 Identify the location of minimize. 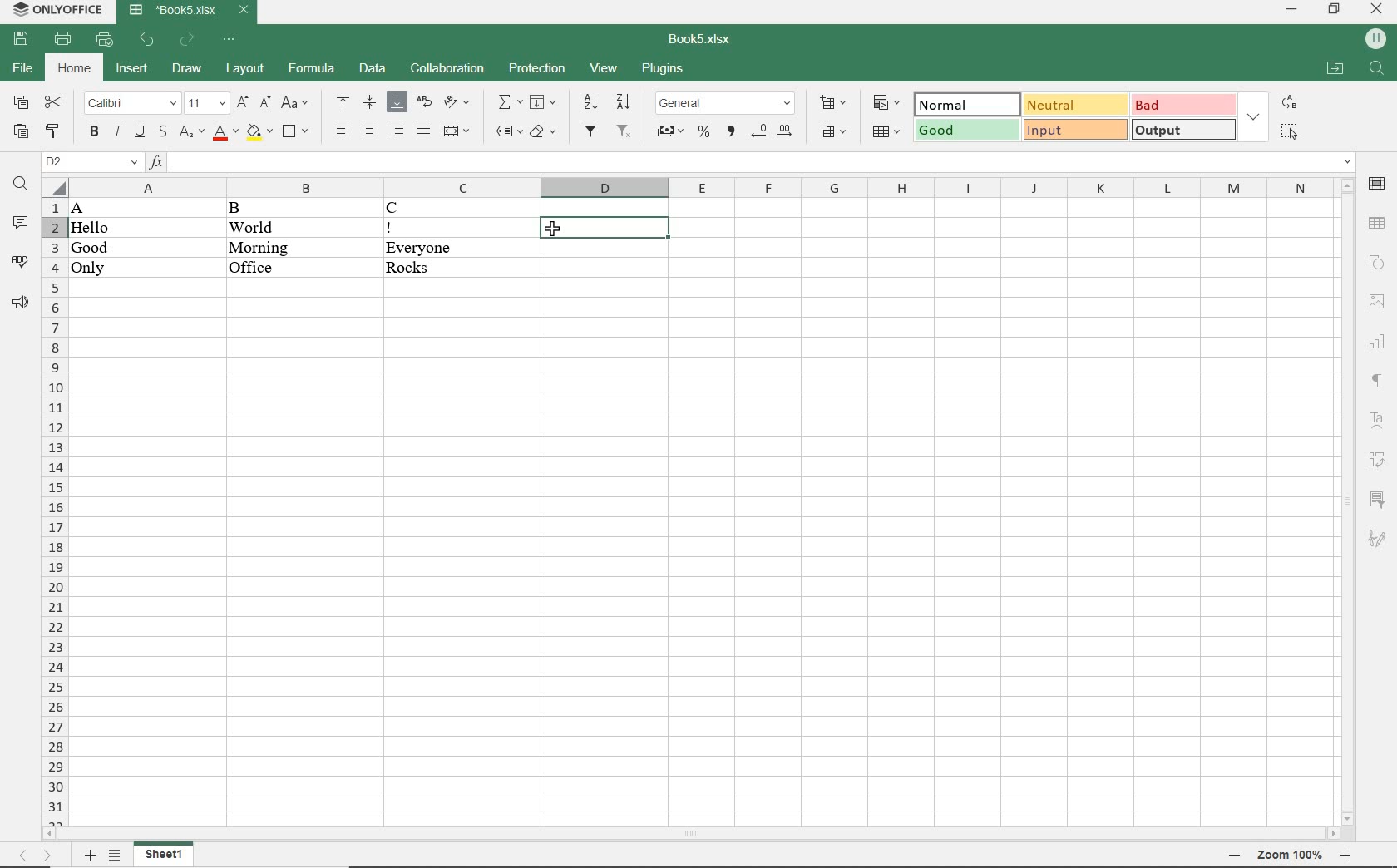
(1295, 11).